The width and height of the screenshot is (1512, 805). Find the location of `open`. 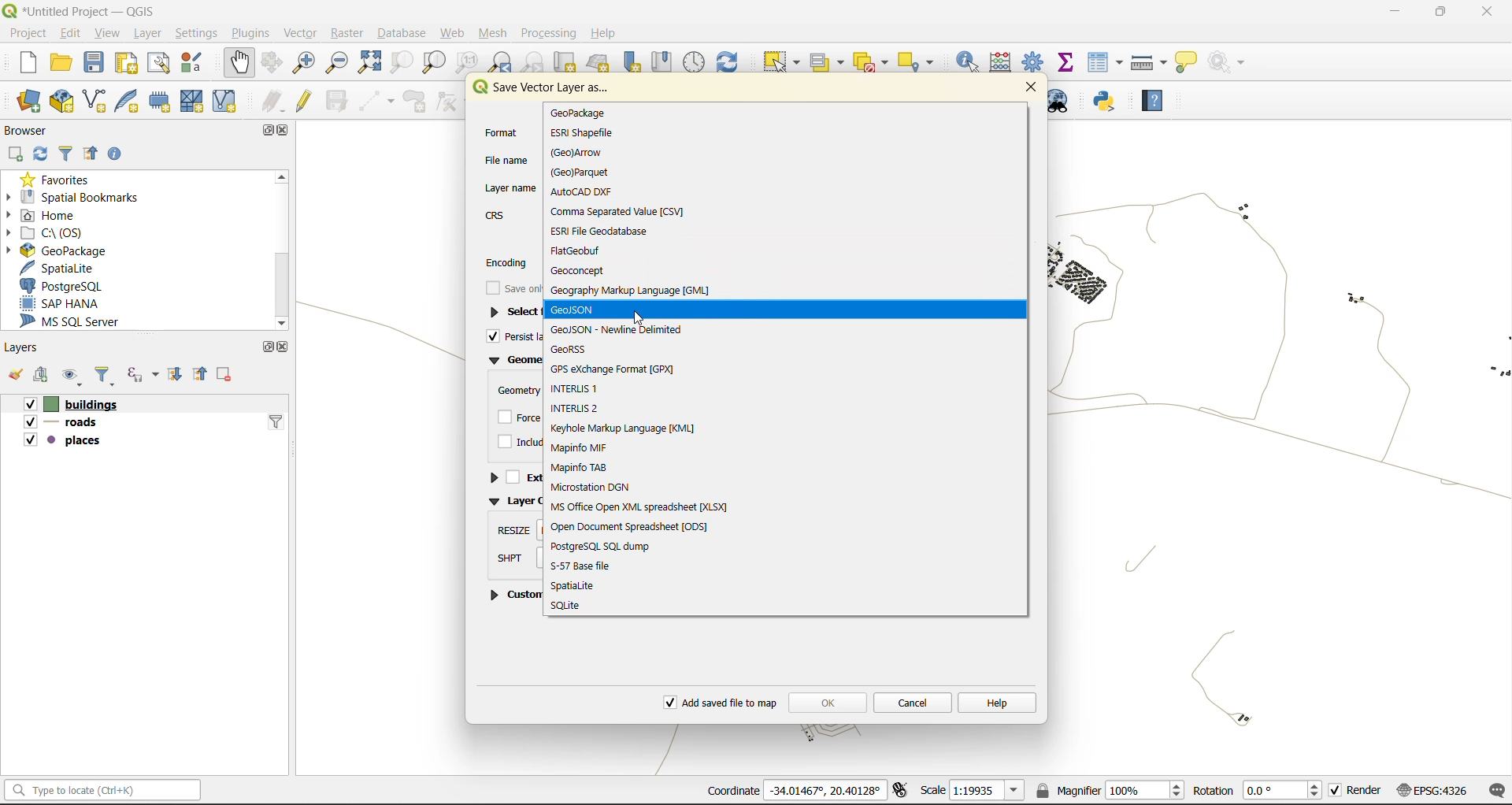

open is located at coordinates (58, 62).